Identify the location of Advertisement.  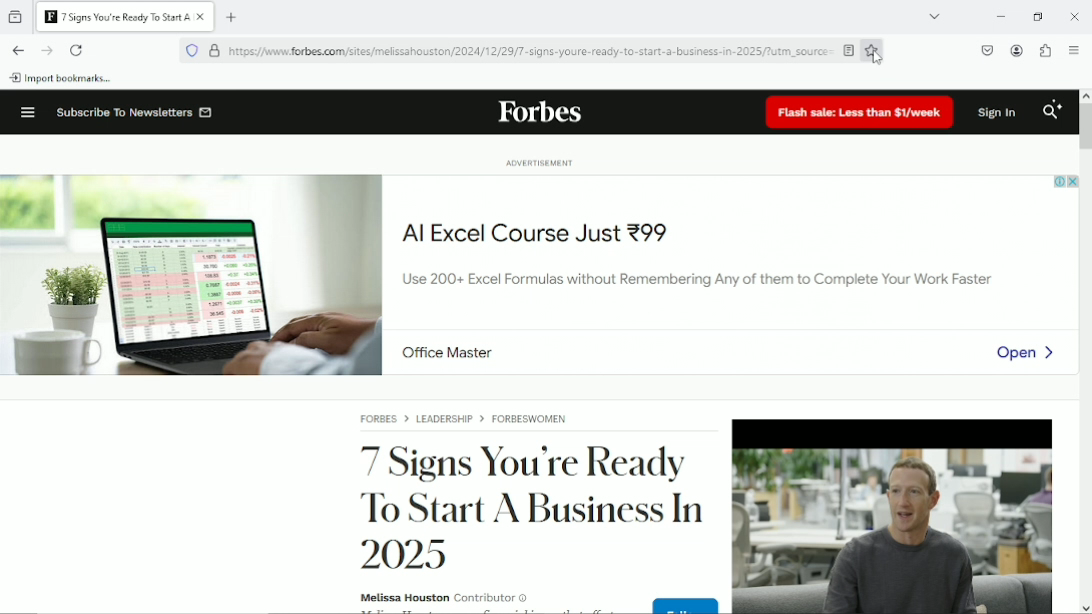
(546, 266).